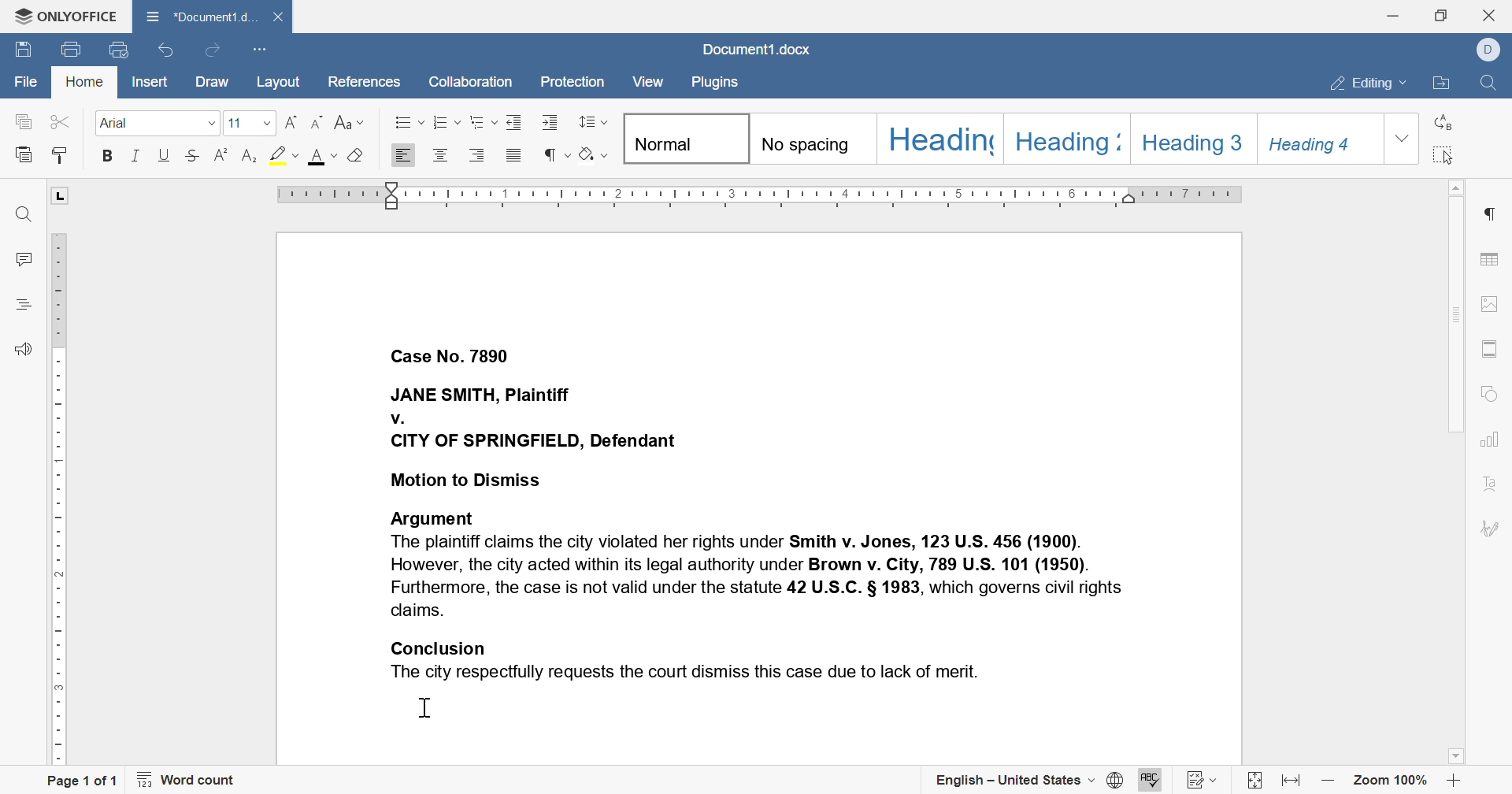  What do you see at coordinates (158, 124) in the screenshot?
I see `font` at bounding box center [158, 124].